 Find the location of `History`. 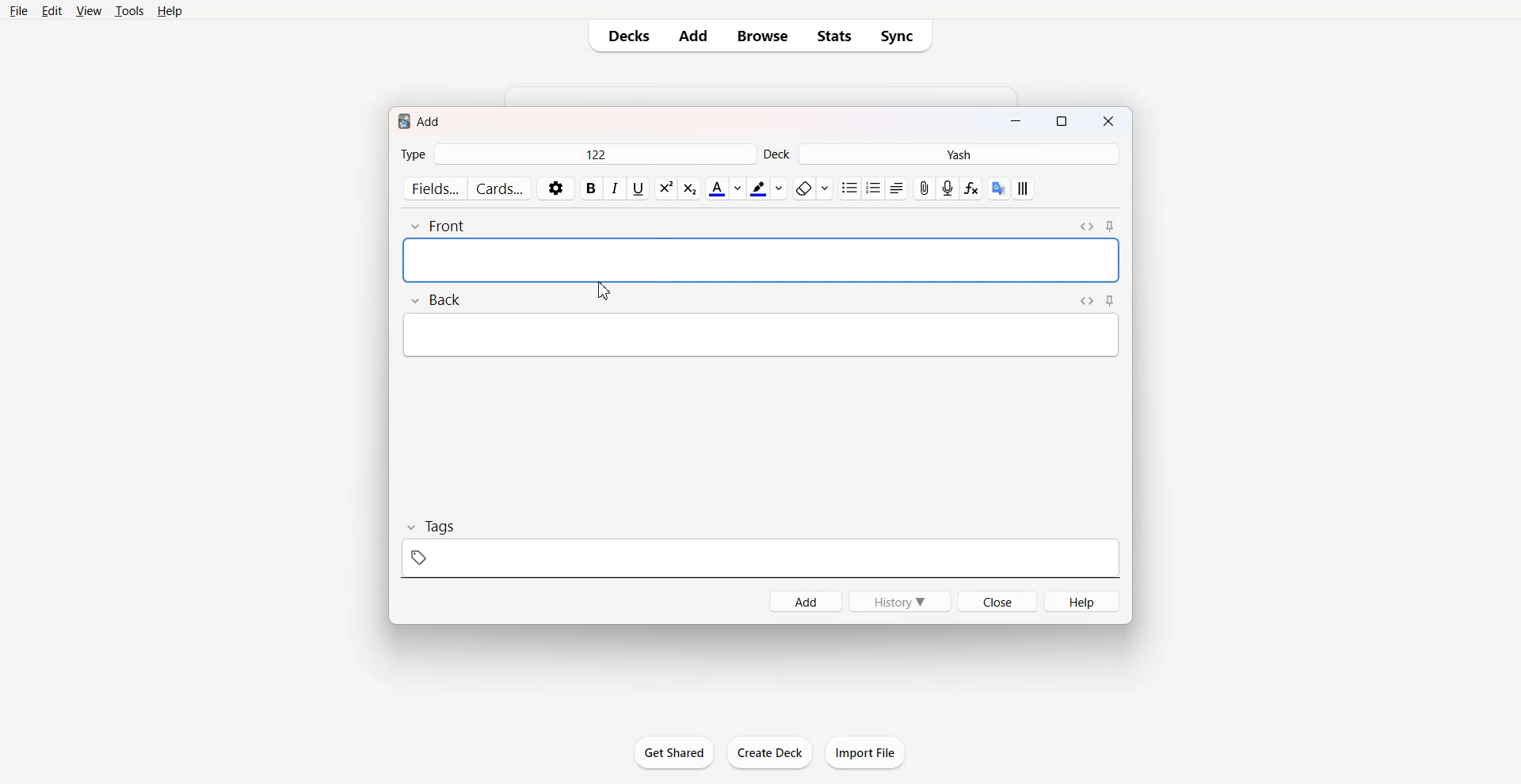

History is located at coordinates (898, 600).